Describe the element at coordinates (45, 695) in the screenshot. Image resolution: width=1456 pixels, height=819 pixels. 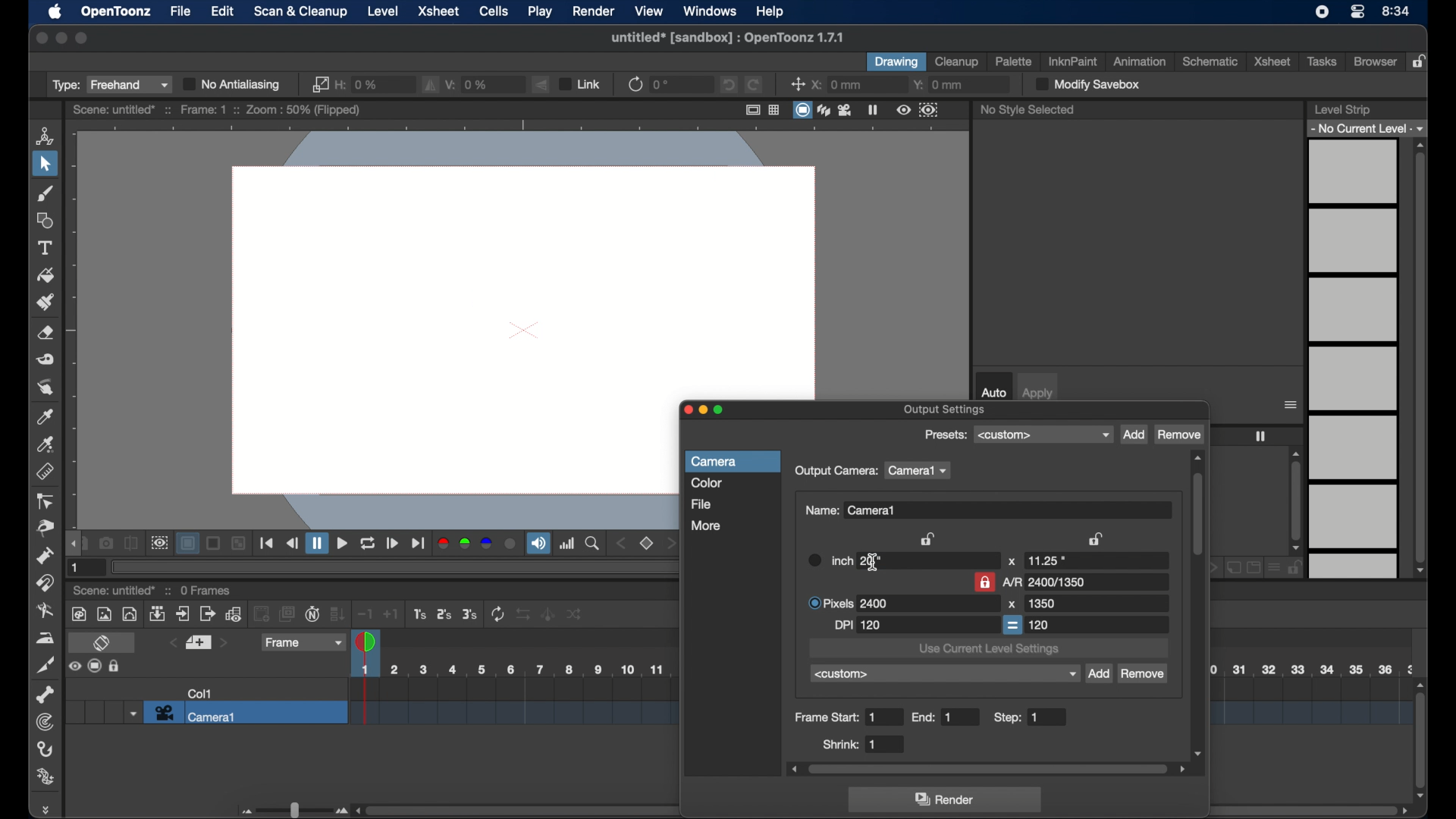
I see `skeleton tool` at that location.